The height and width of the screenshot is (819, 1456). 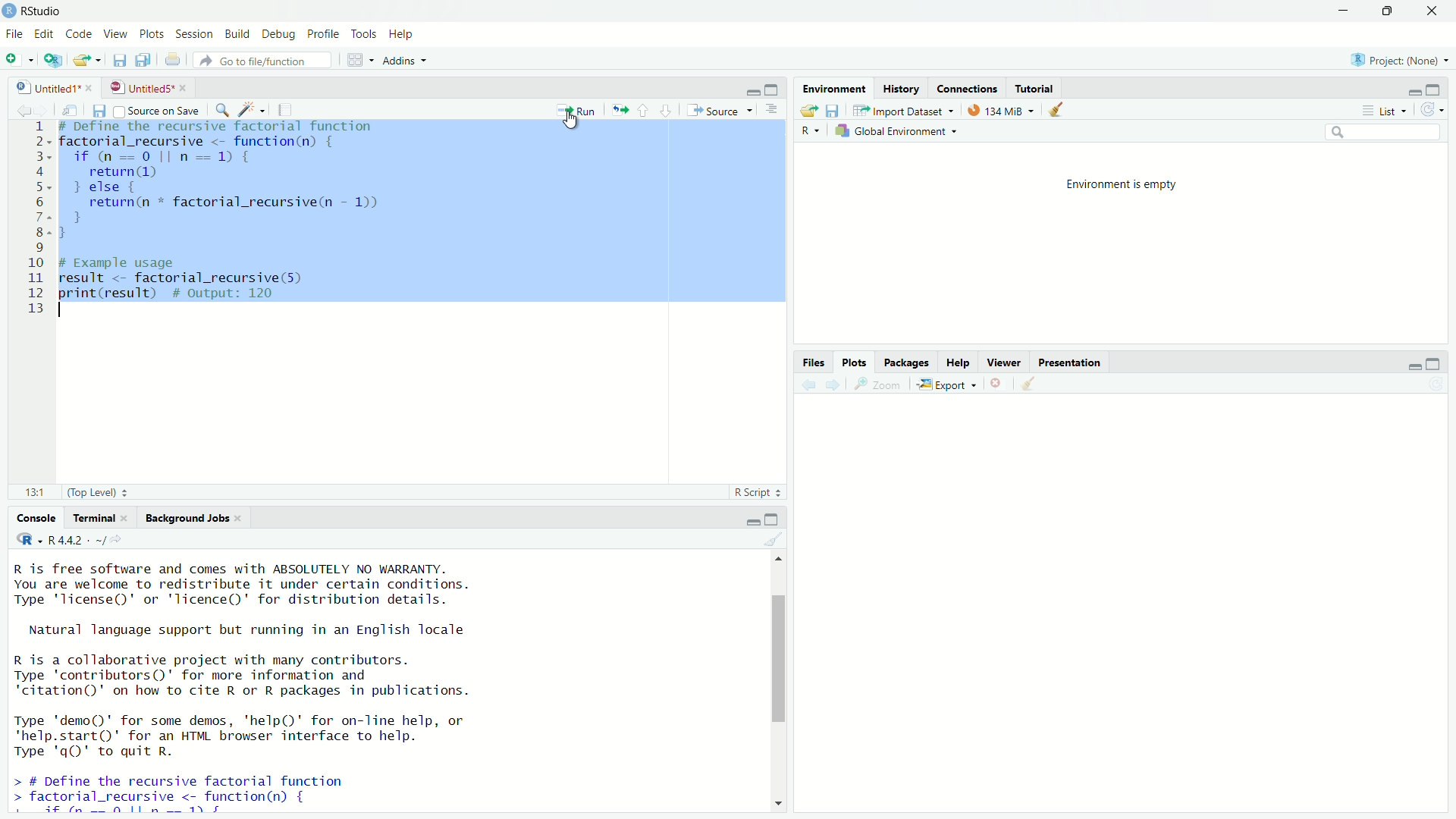 I want to click on Go to next section/chunk (Ctrl + pgDn), so click(x=664, y=109).